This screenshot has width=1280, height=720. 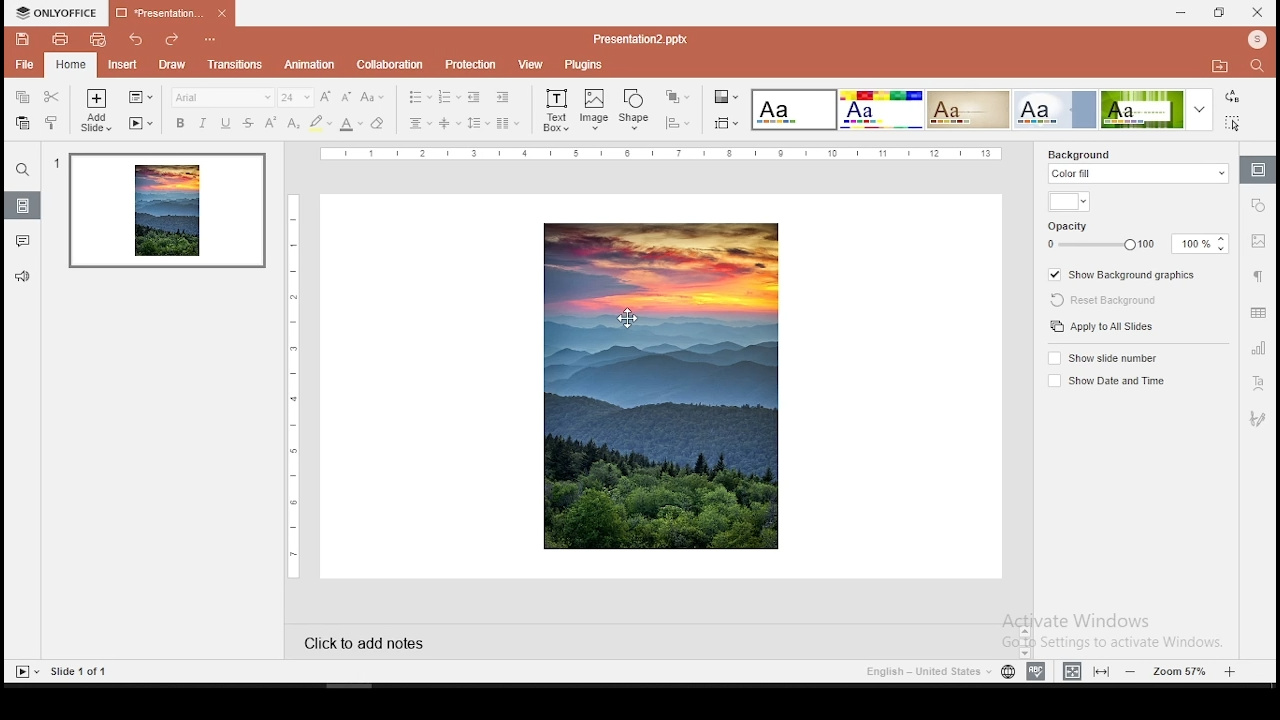 What do you see at coordinates (421, 124) in the screenshot?
I see `horizontal align` at bounding box center [421, 124].